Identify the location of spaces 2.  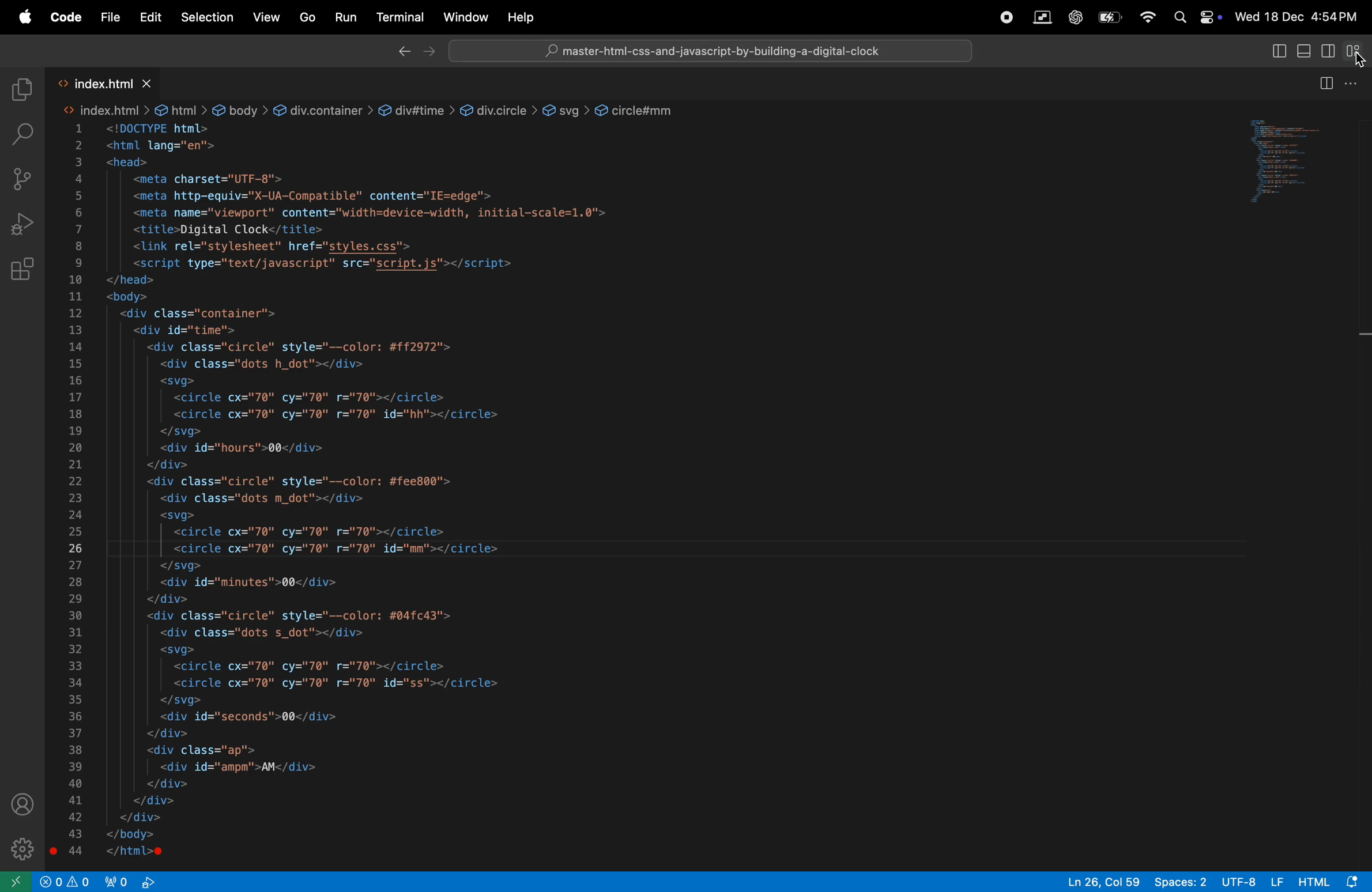
(1180, 882).